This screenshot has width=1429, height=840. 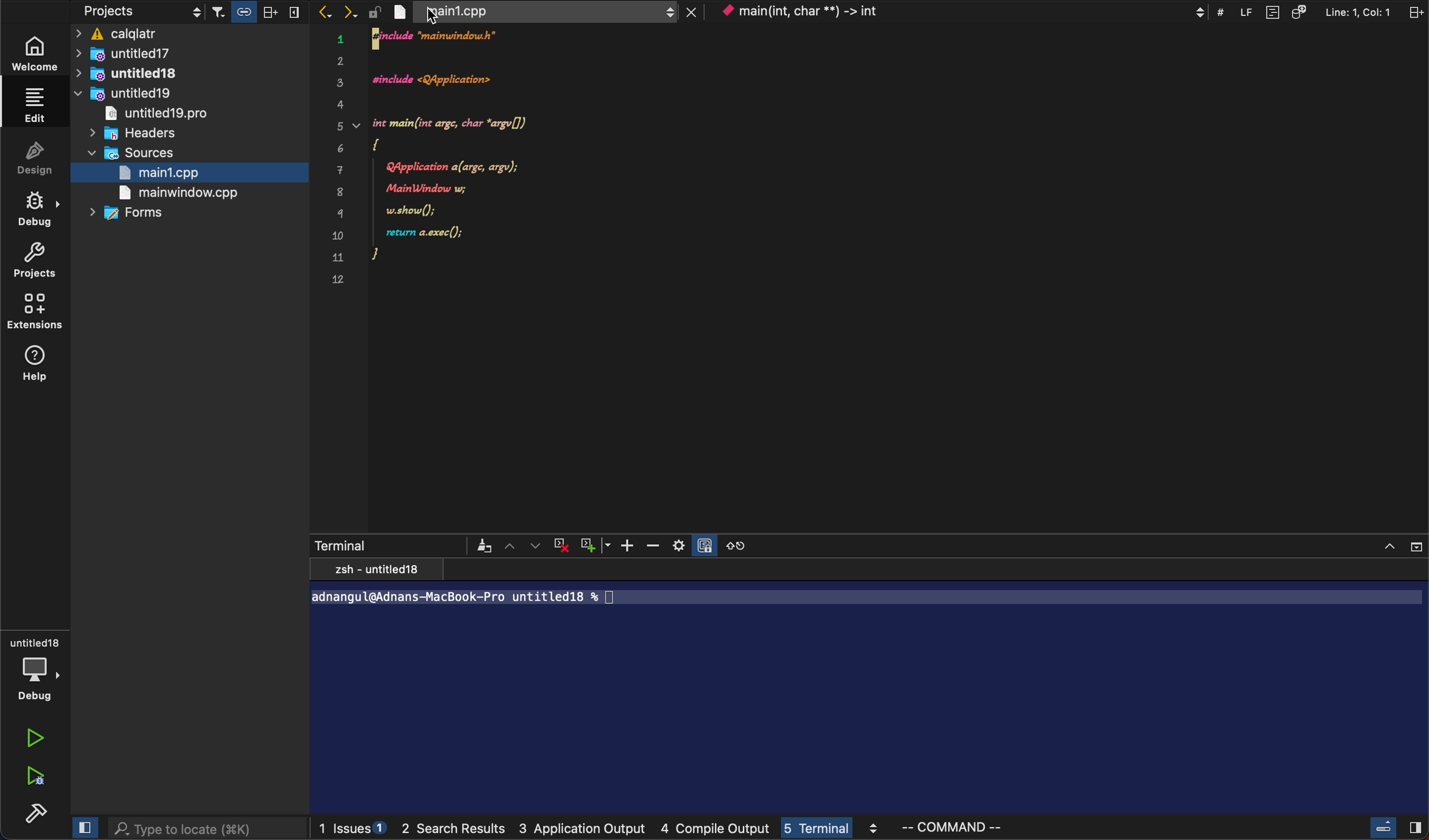 I want to click on untitled 19, so click(x=159, y=115).